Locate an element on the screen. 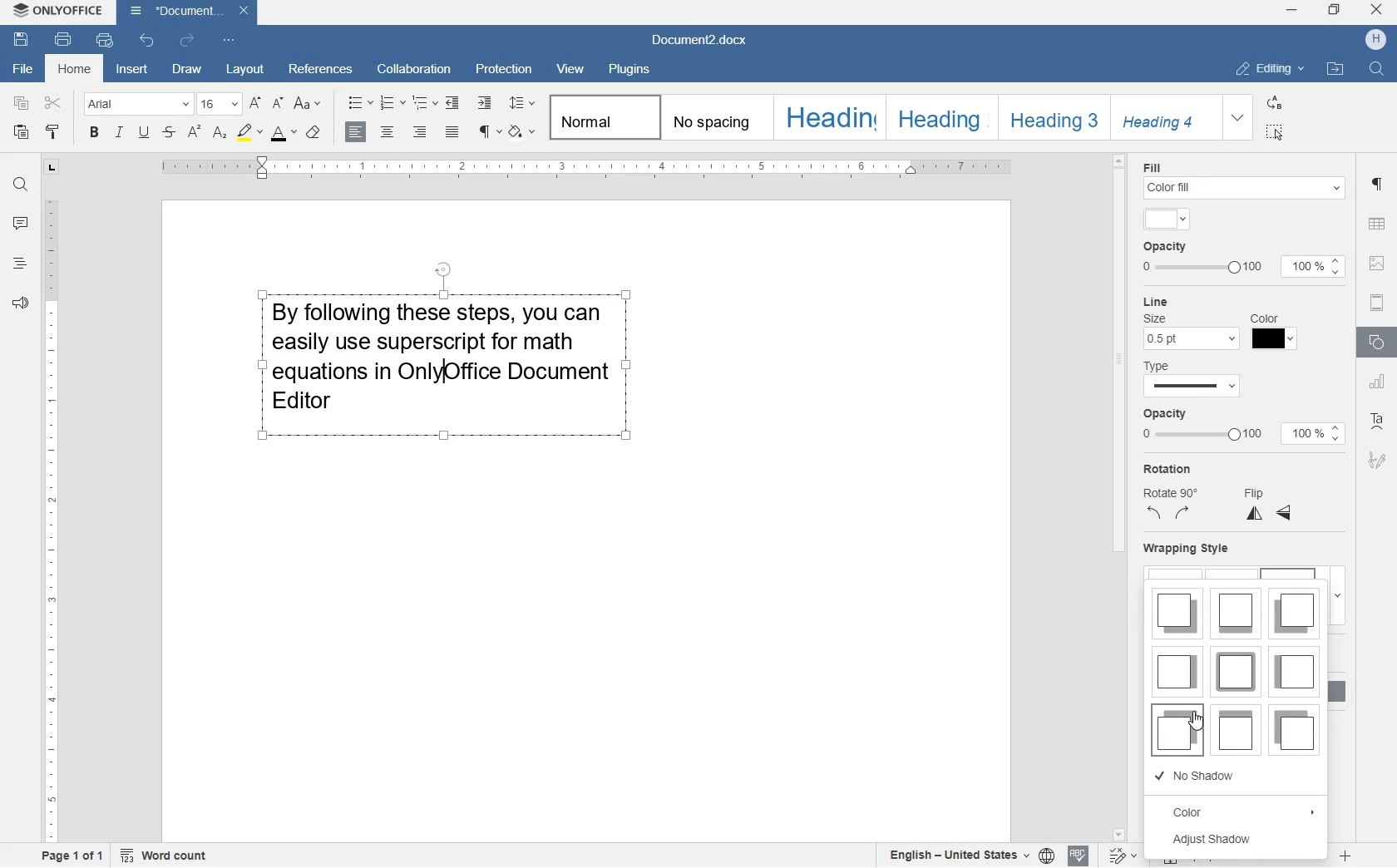  file is located at coordinates (21, 70).